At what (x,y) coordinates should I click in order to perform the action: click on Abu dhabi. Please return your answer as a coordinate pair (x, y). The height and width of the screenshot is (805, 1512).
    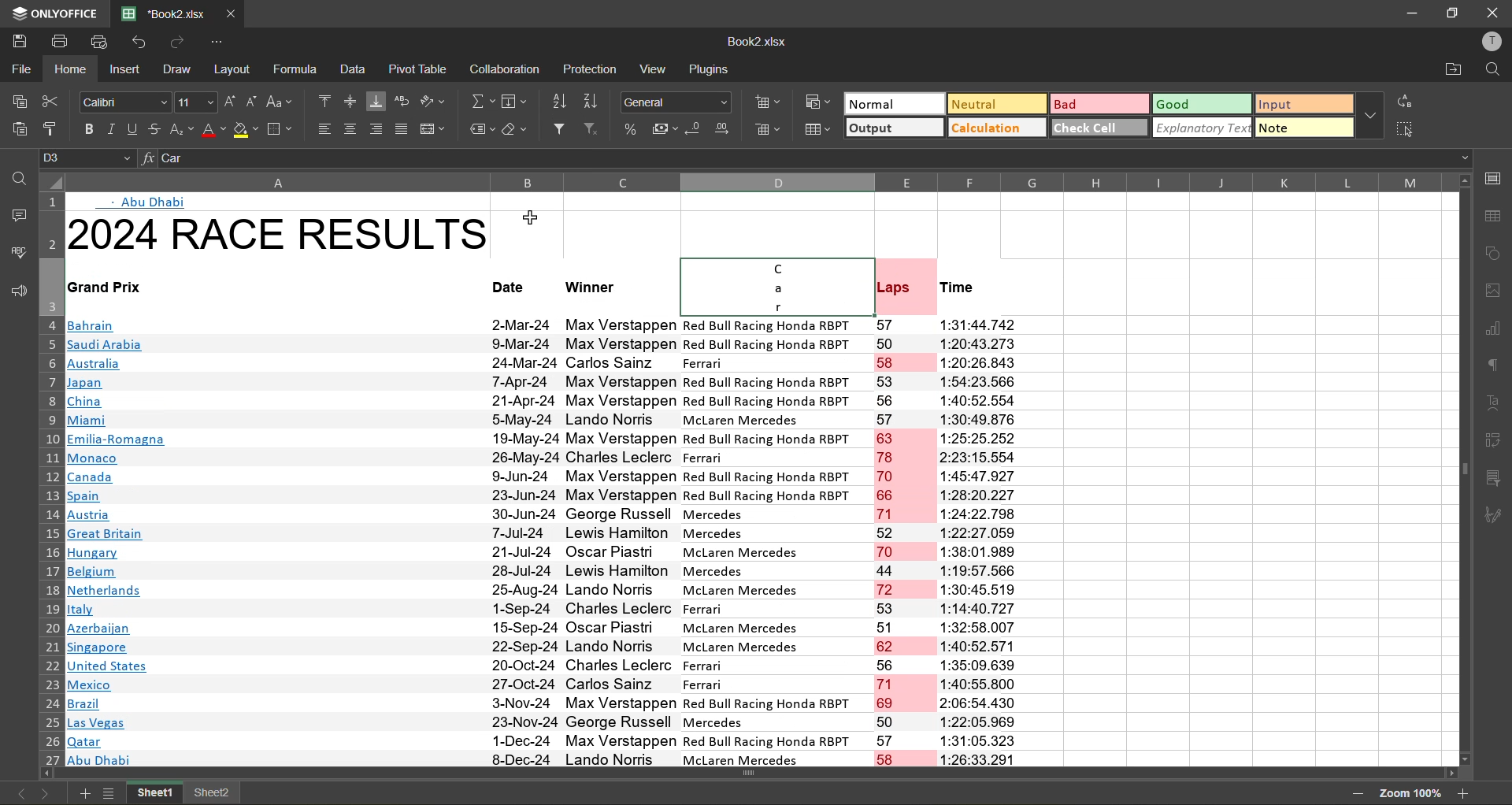
    Looking at the image, I should click on (143, 203).